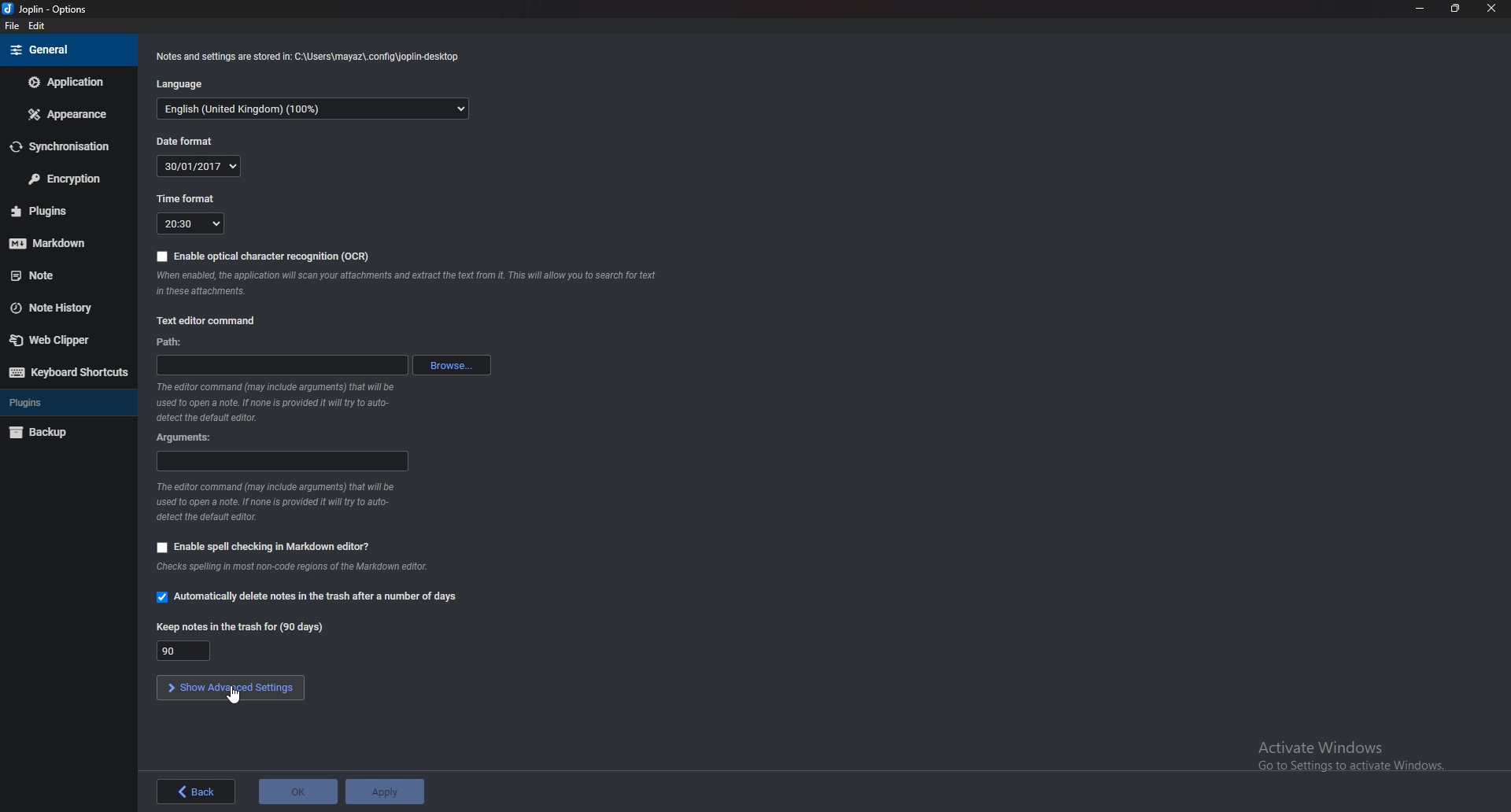  I want to click on Arguments, so click(280, 460).